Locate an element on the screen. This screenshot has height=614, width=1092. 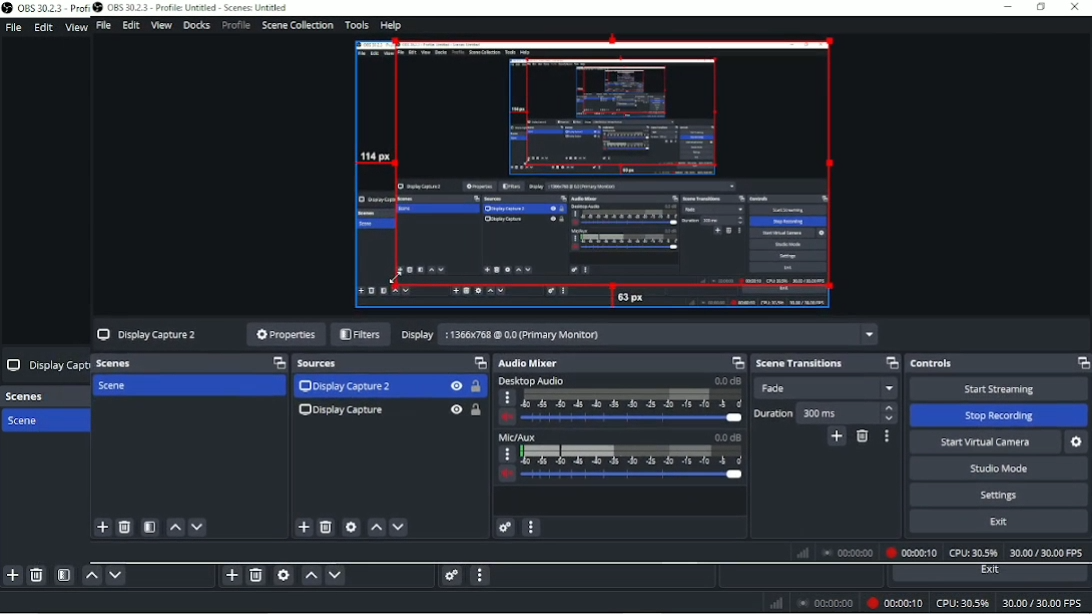
cursor is located at coordinates (397, 276).